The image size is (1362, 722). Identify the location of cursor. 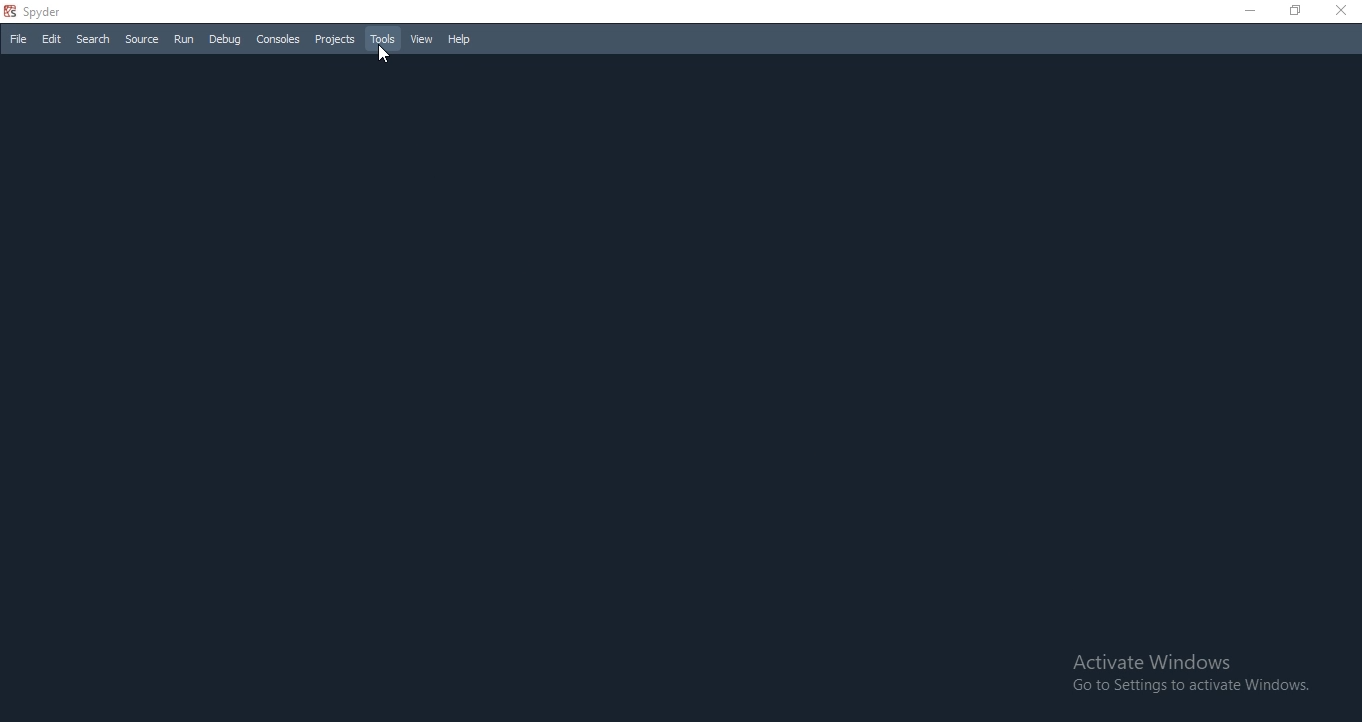
(383, 54).